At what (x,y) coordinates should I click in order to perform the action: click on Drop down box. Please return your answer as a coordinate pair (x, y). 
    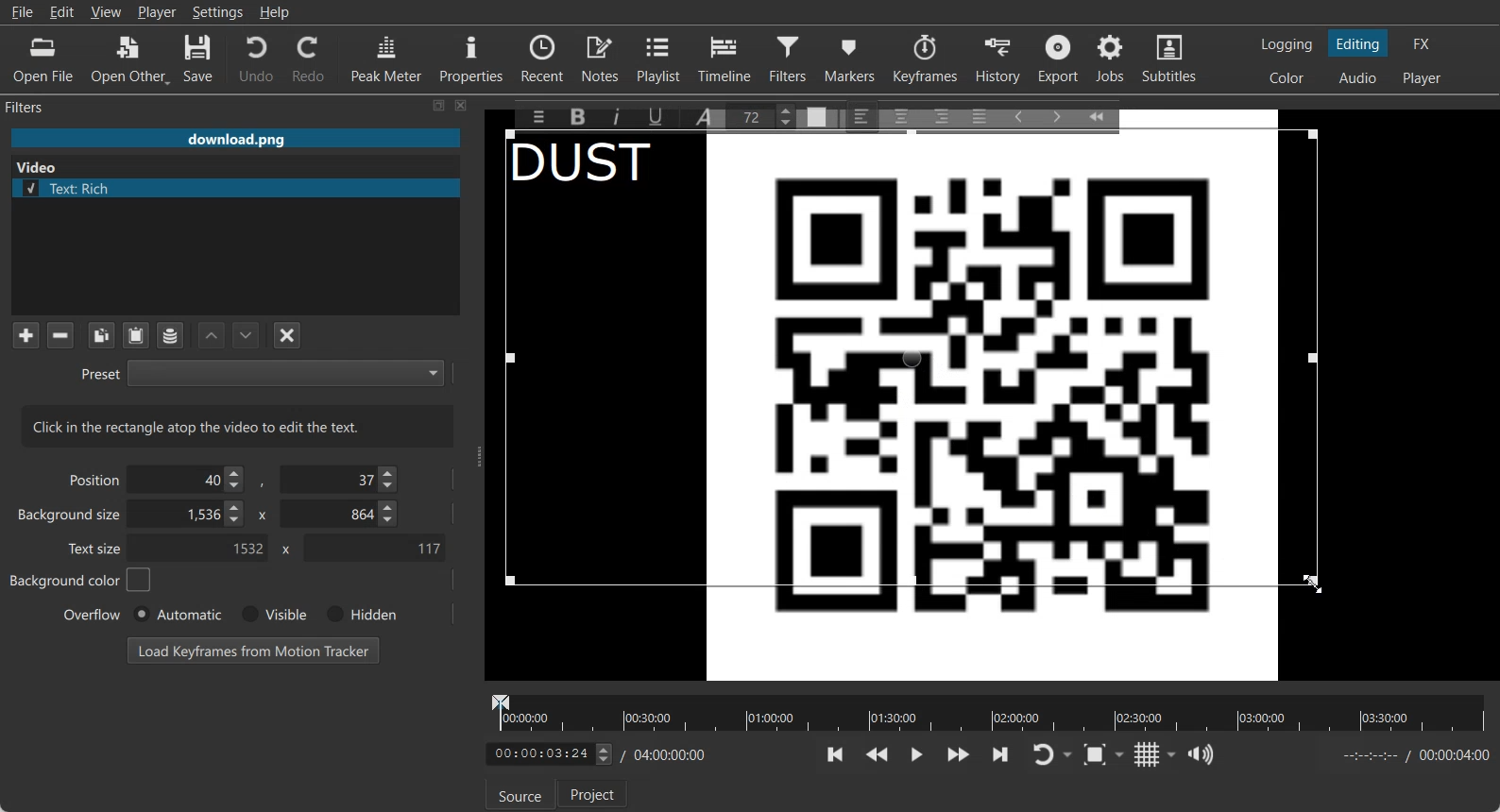
    Looking at the image, I should click on (1069, 755).